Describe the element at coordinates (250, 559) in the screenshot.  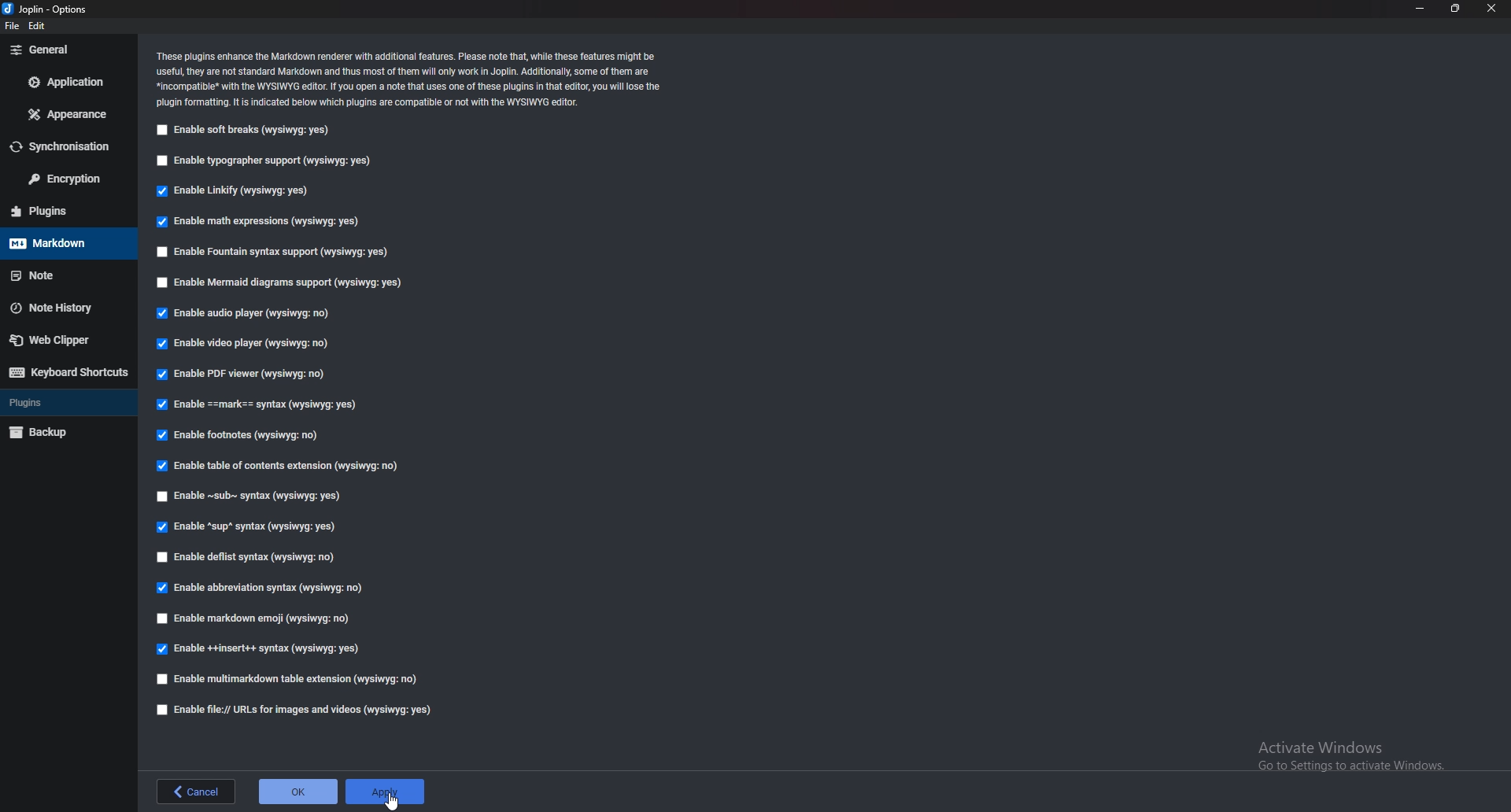
I see `enable deflist syntax` at that location.